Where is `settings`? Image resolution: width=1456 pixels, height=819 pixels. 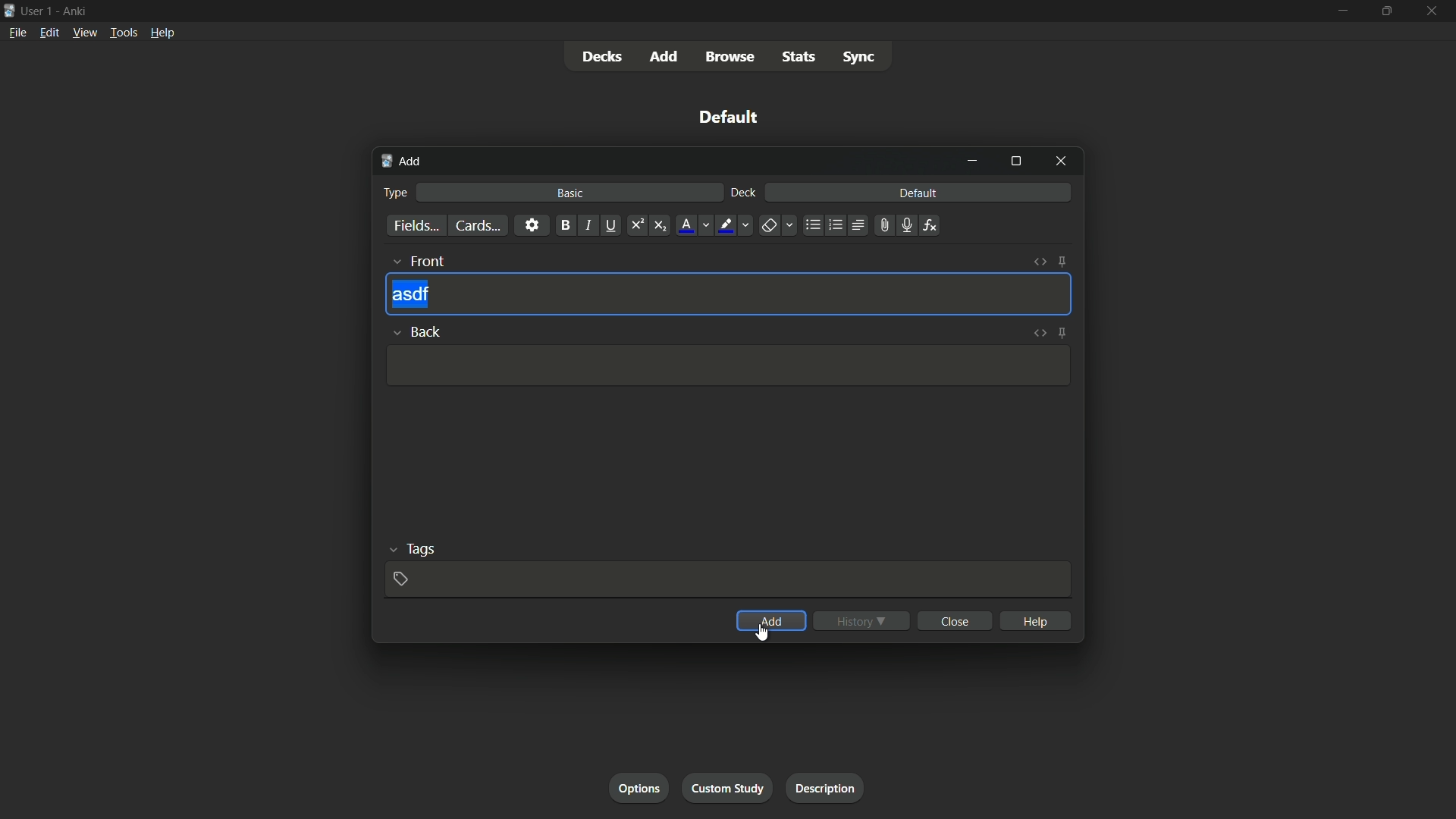 settings is located at coordinates (532, 225).